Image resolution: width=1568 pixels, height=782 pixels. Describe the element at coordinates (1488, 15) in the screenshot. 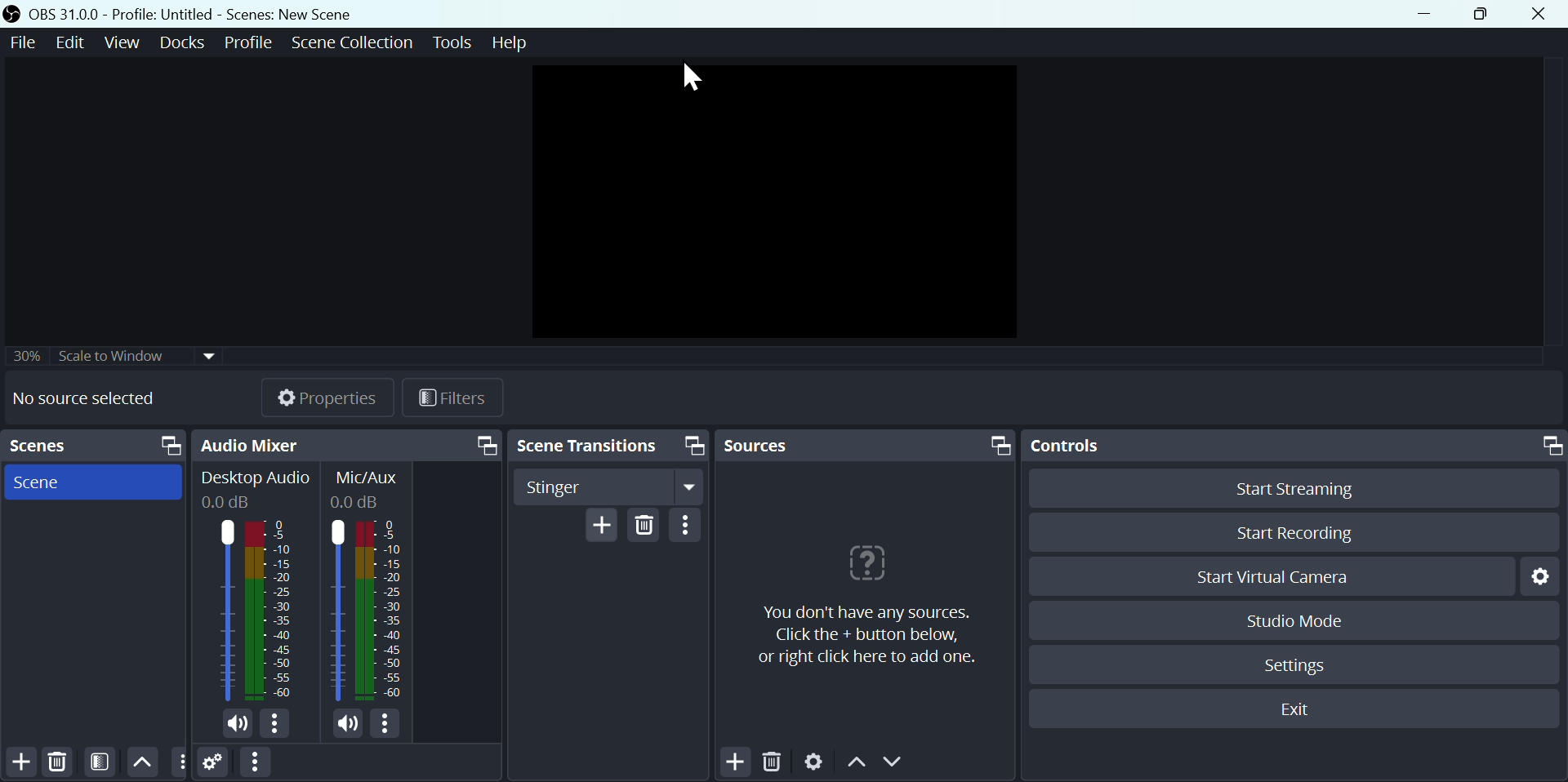

I see `Maximise` at that location.